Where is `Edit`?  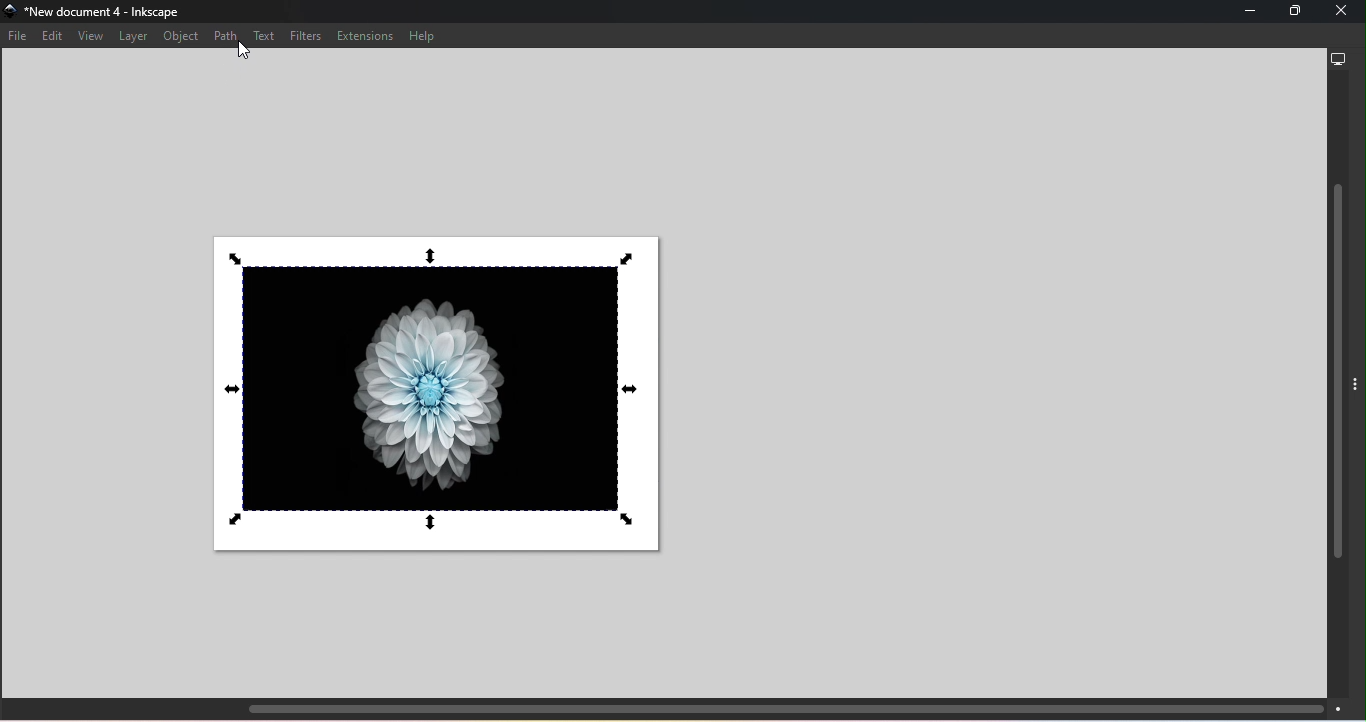 Edit is located at coordinates (51, 37).